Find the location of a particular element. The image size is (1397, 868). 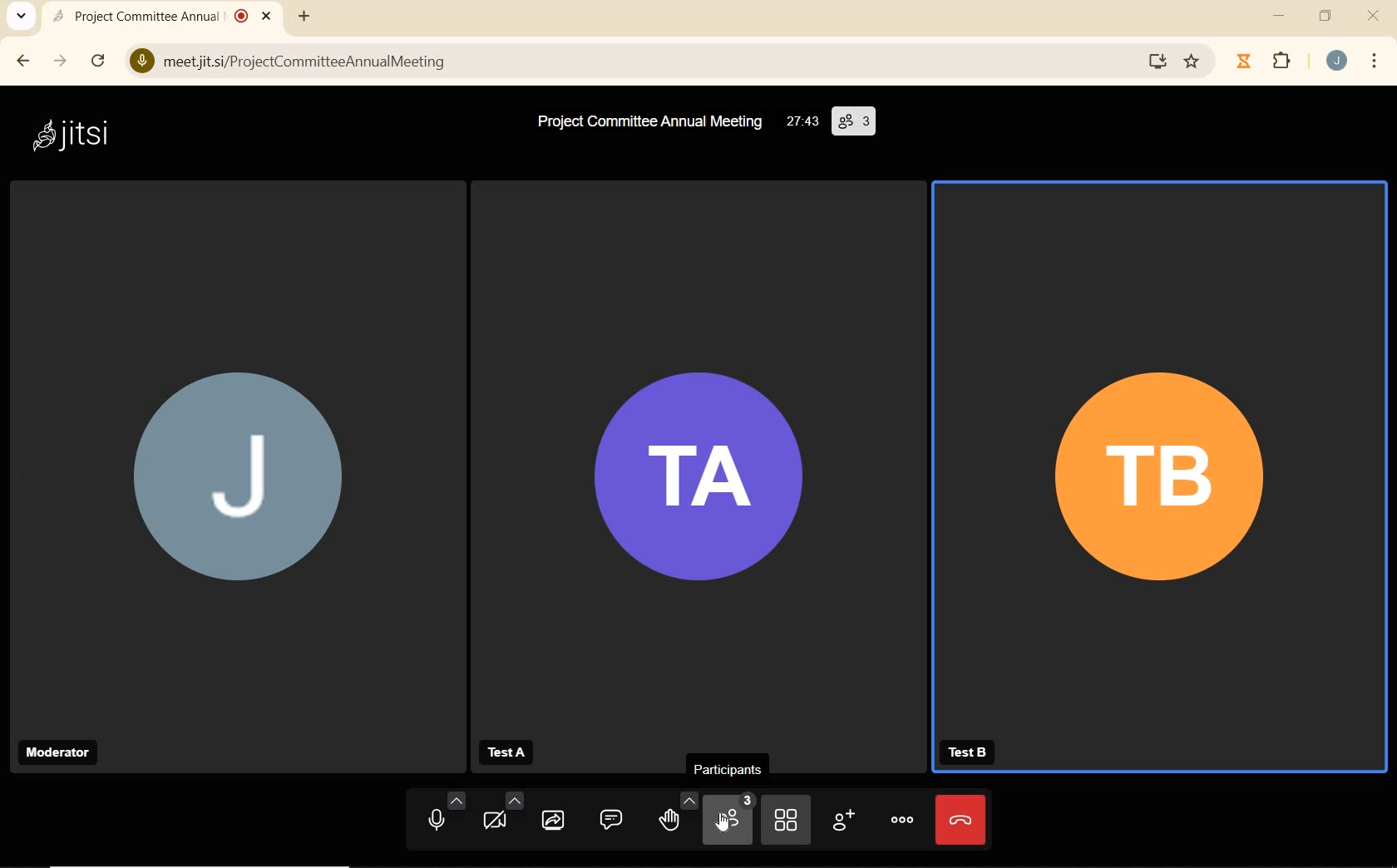

close tab is located at coordinates (265, 17).